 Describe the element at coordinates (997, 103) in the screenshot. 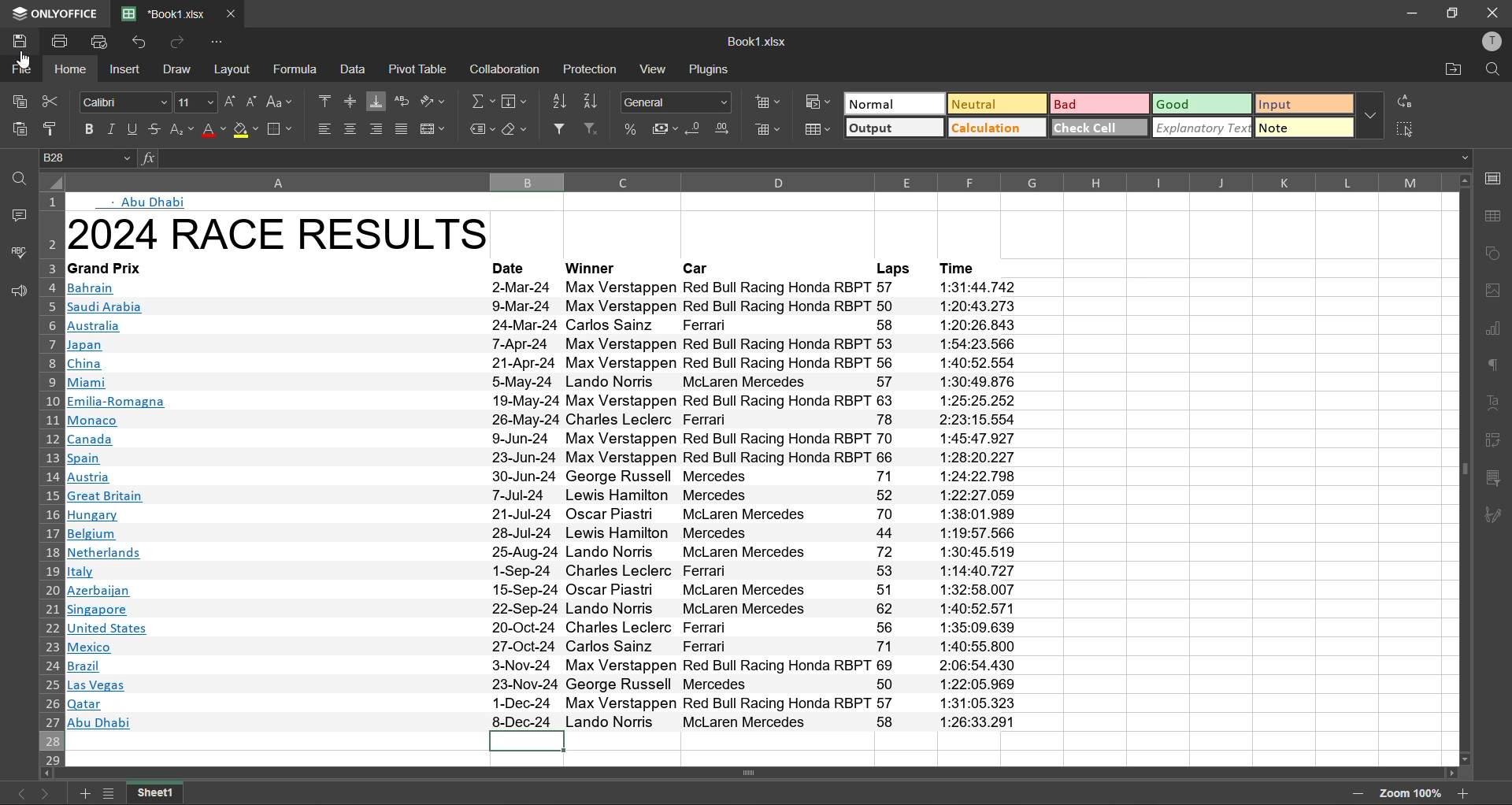

I see `neutral` at that location.